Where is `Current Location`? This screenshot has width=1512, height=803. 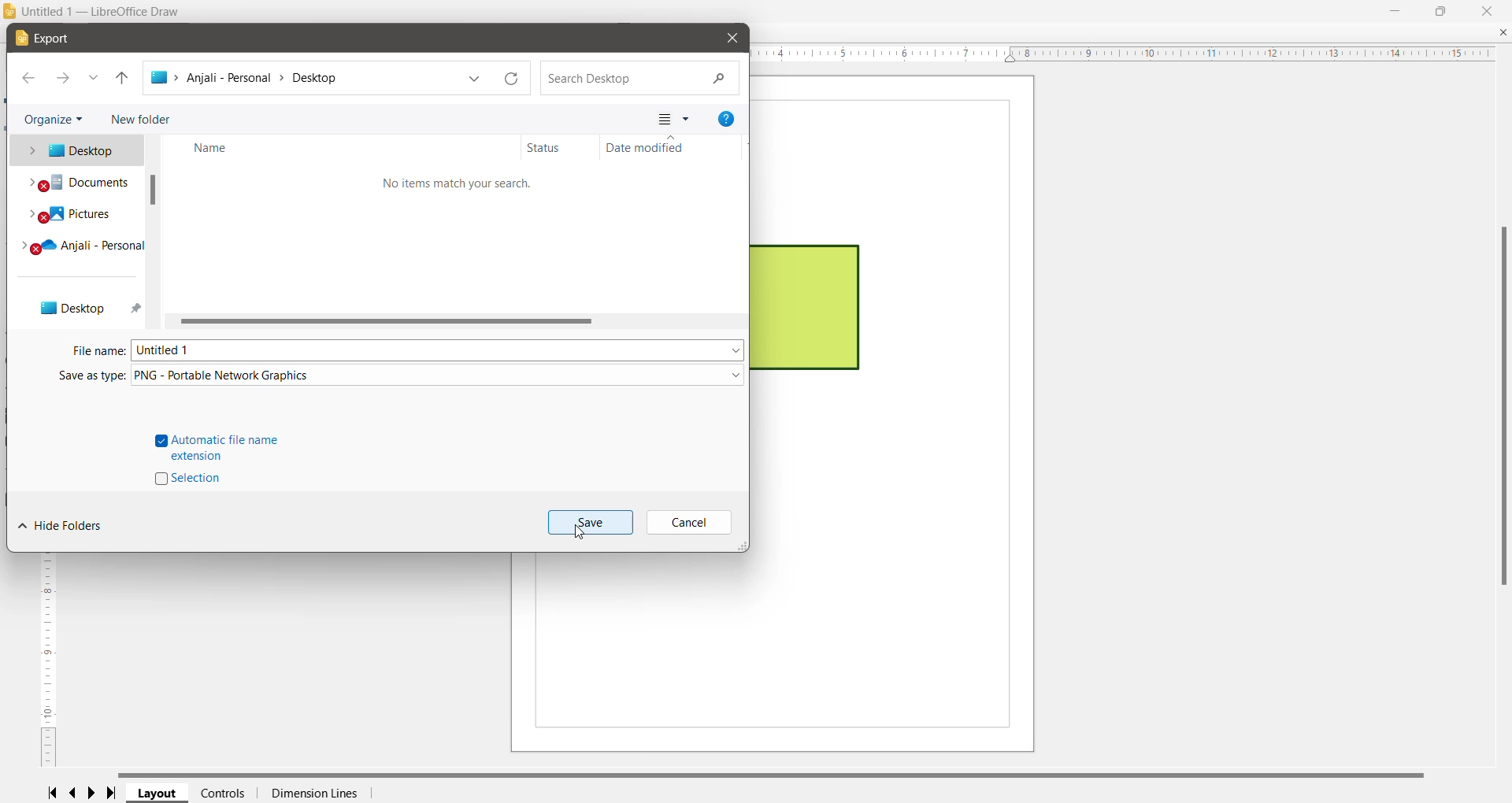
Current Location is located at coordinates (301, 81).